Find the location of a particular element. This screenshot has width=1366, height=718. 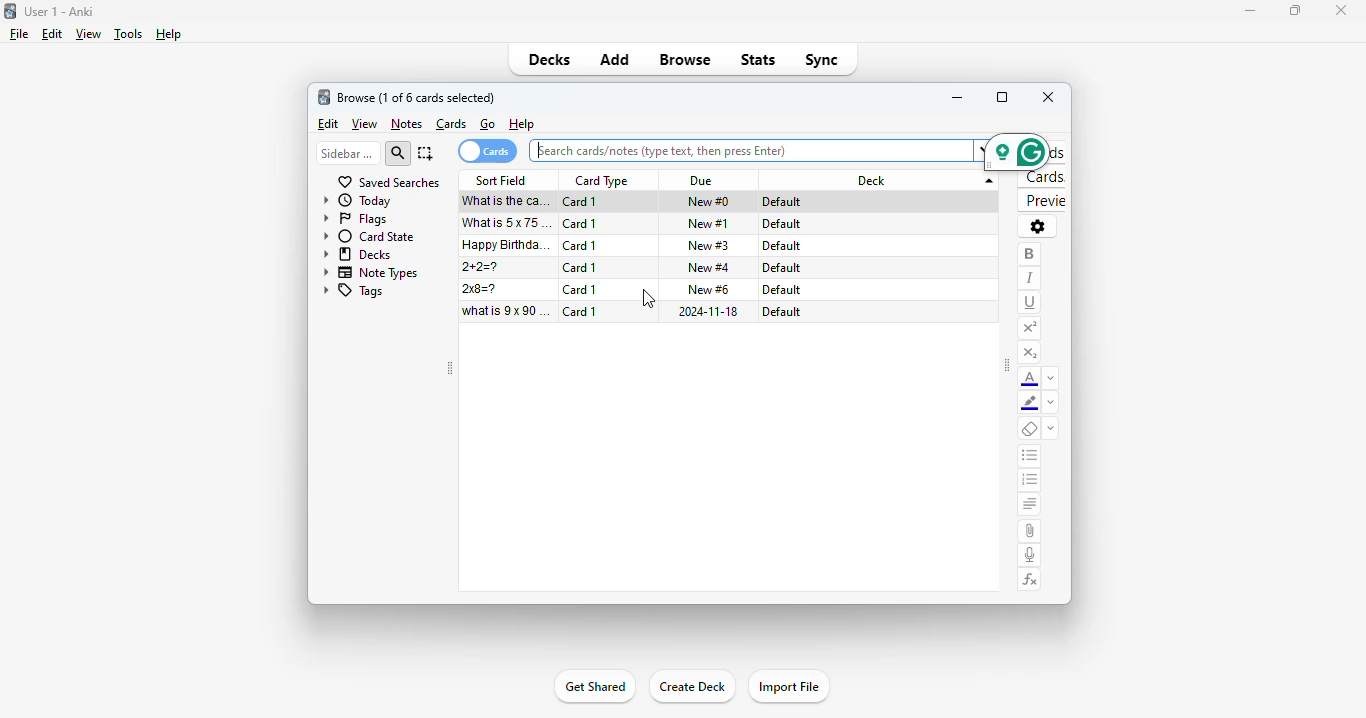

bold is located at coordinates (1029, 254).